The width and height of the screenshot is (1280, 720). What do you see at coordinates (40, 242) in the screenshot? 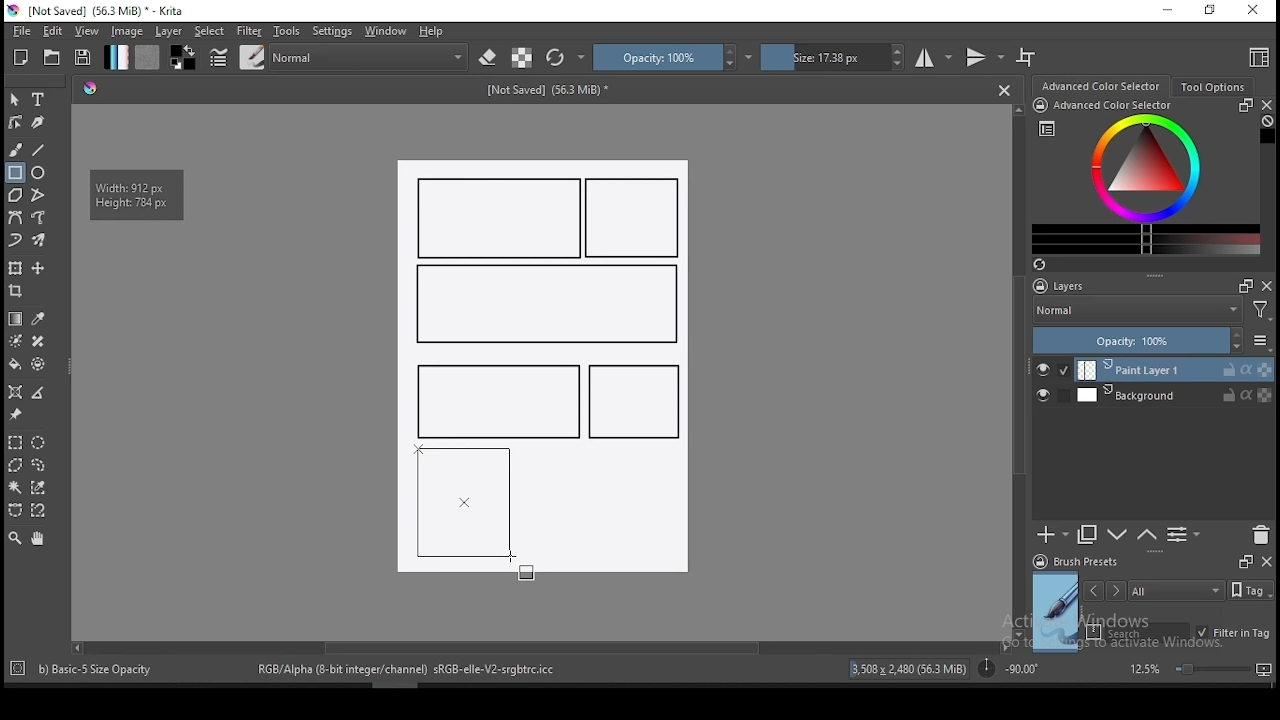
I see `multibrush tool` at bounding box center [40, 242].